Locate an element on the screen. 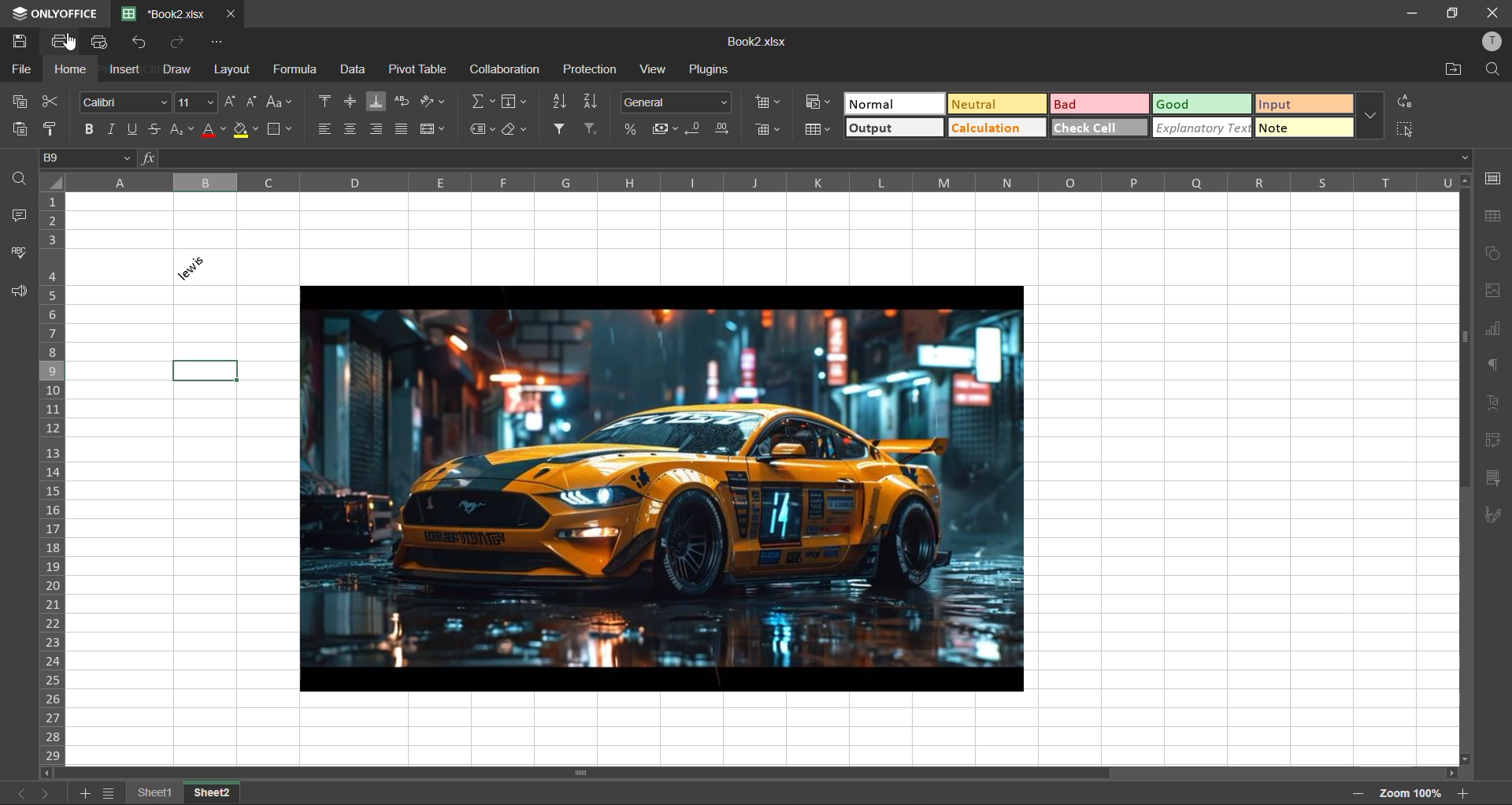 The image size is (1512, 805). resize is located at coordinates (1451, 15).